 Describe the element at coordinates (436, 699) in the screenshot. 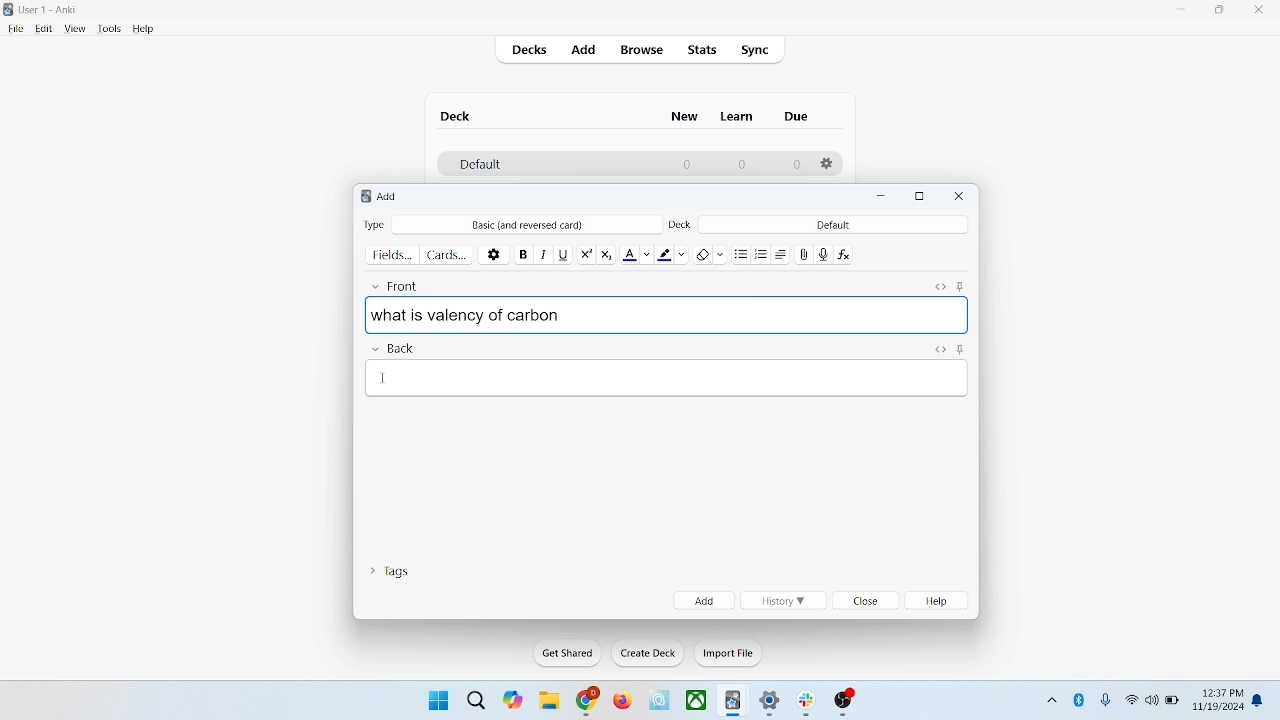

I see `window` at that location.